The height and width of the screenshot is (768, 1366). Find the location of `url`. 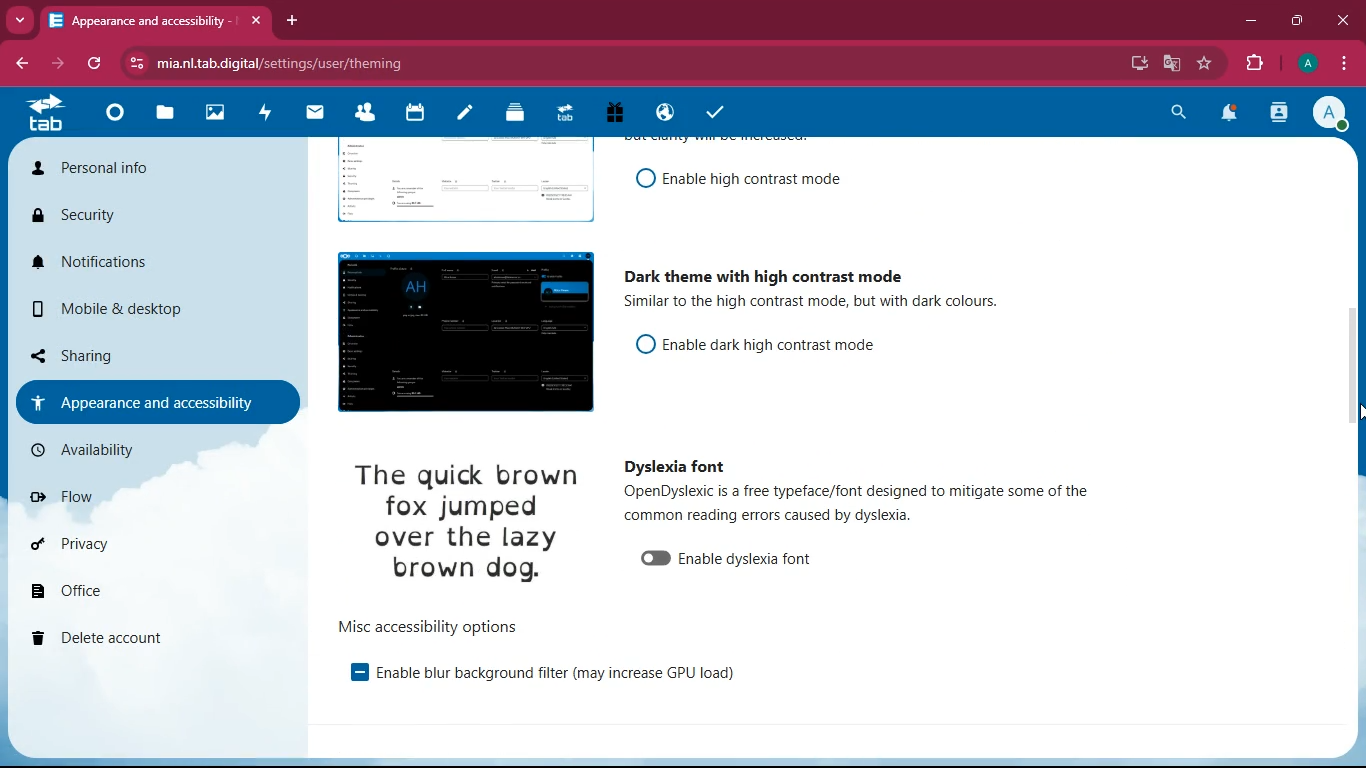

url is located at coordinates (459, 62).